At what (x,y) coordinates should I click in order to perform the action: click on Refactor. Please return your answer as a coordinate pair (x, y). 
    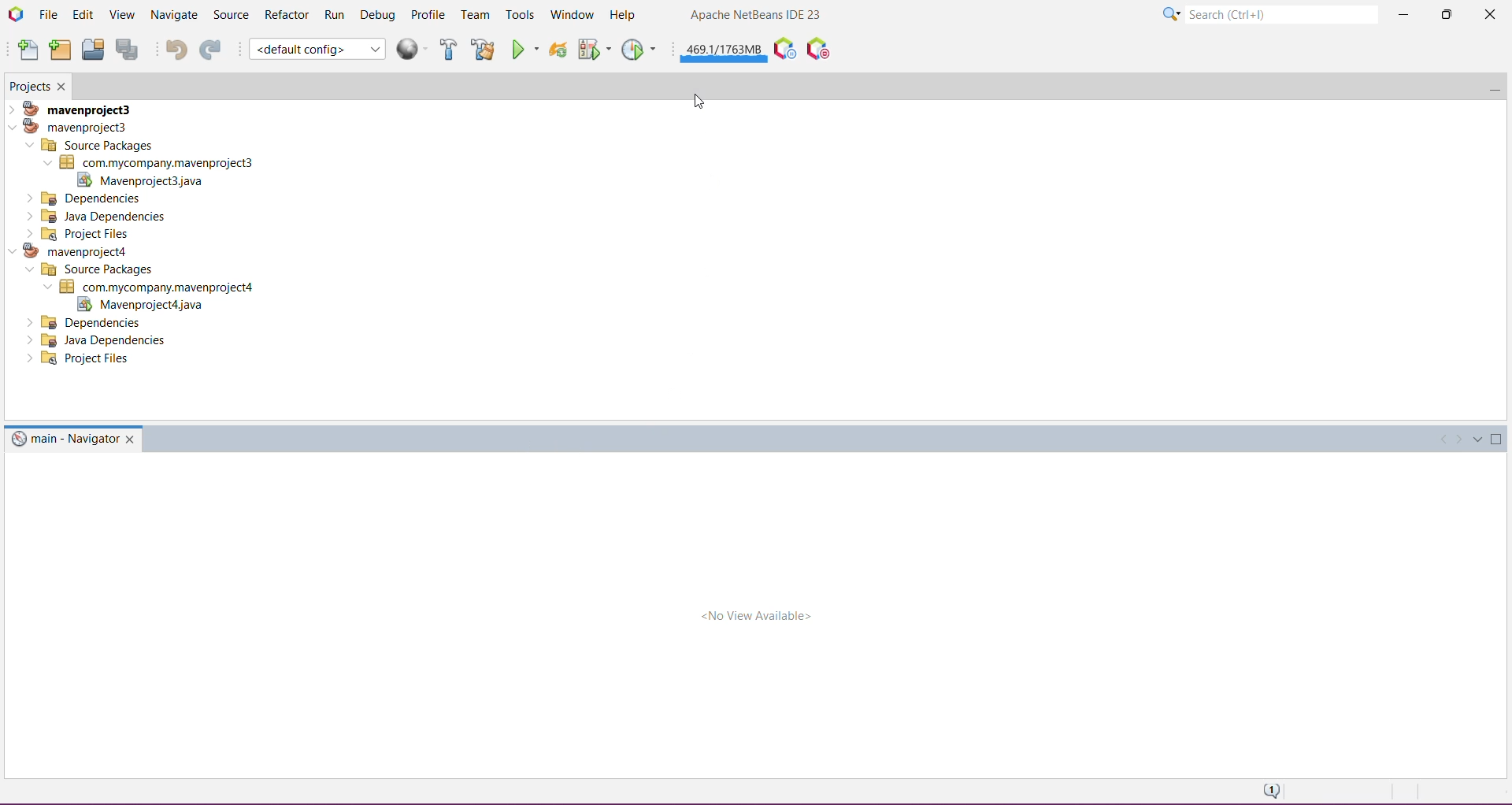
    Looking at the image, I should click on (286, 16).